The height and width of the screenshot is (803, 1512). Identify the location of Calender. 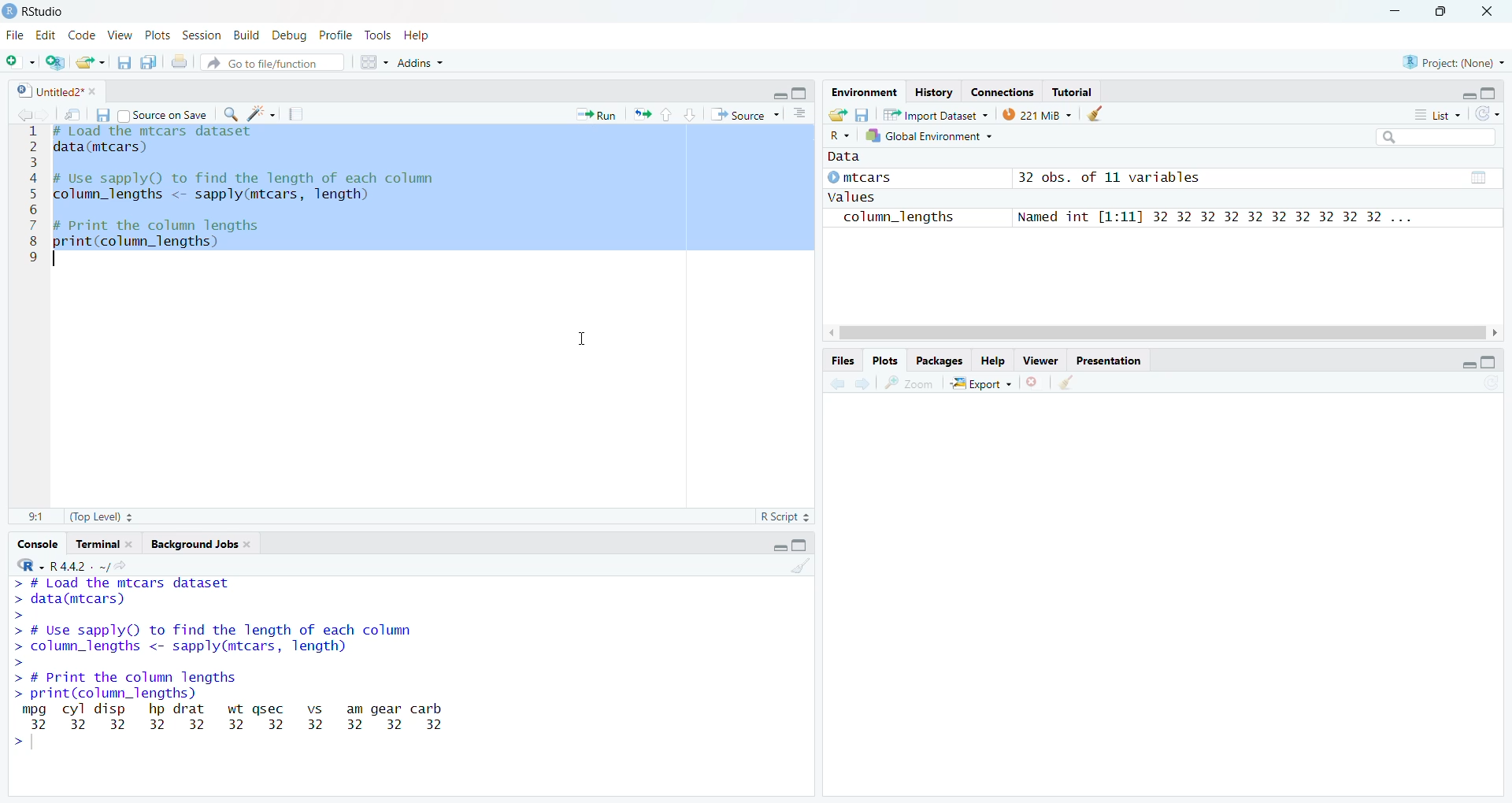
(1477, 179).